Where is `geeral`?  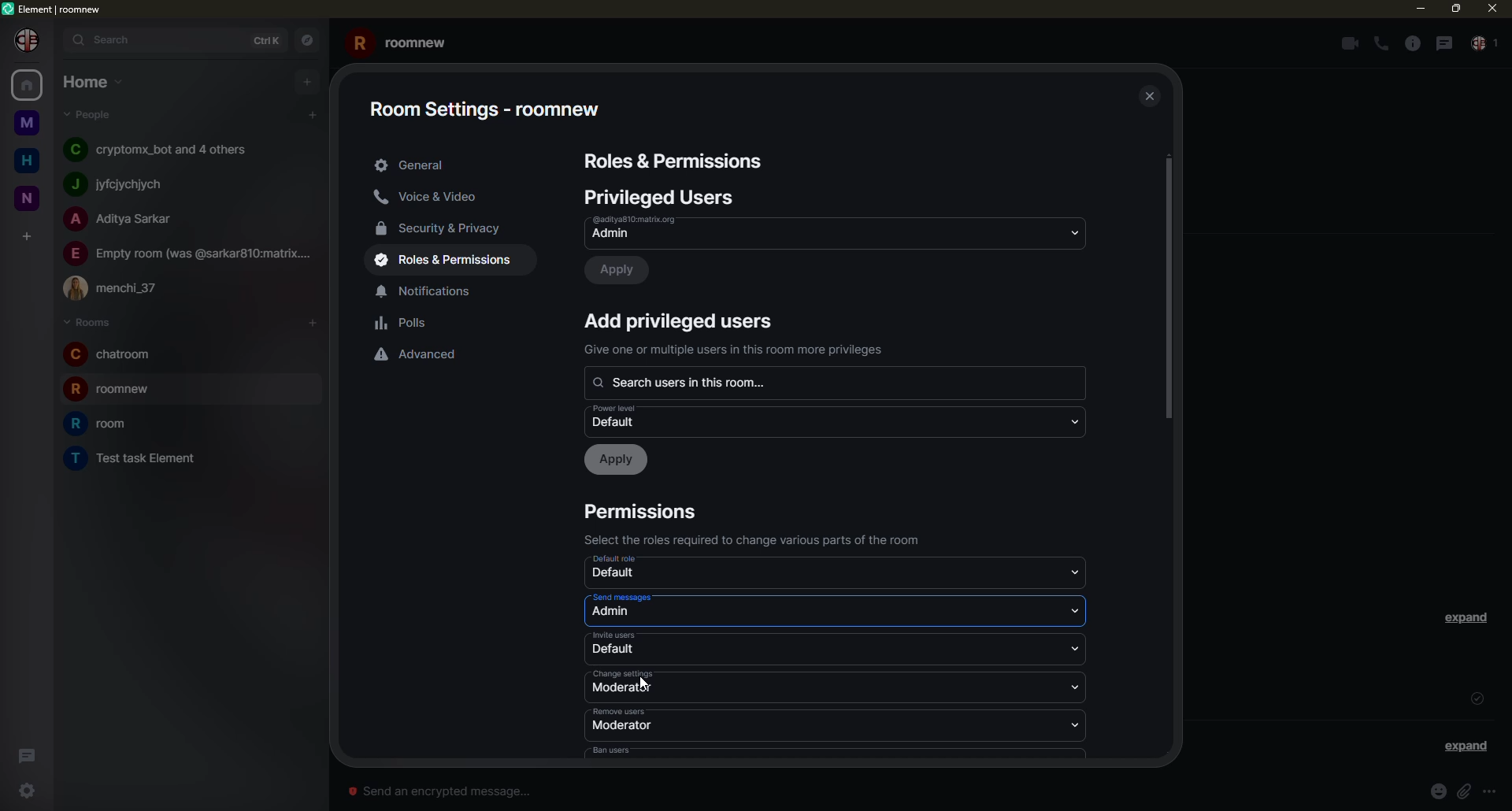 geeral is located at coordinates (412, 165).